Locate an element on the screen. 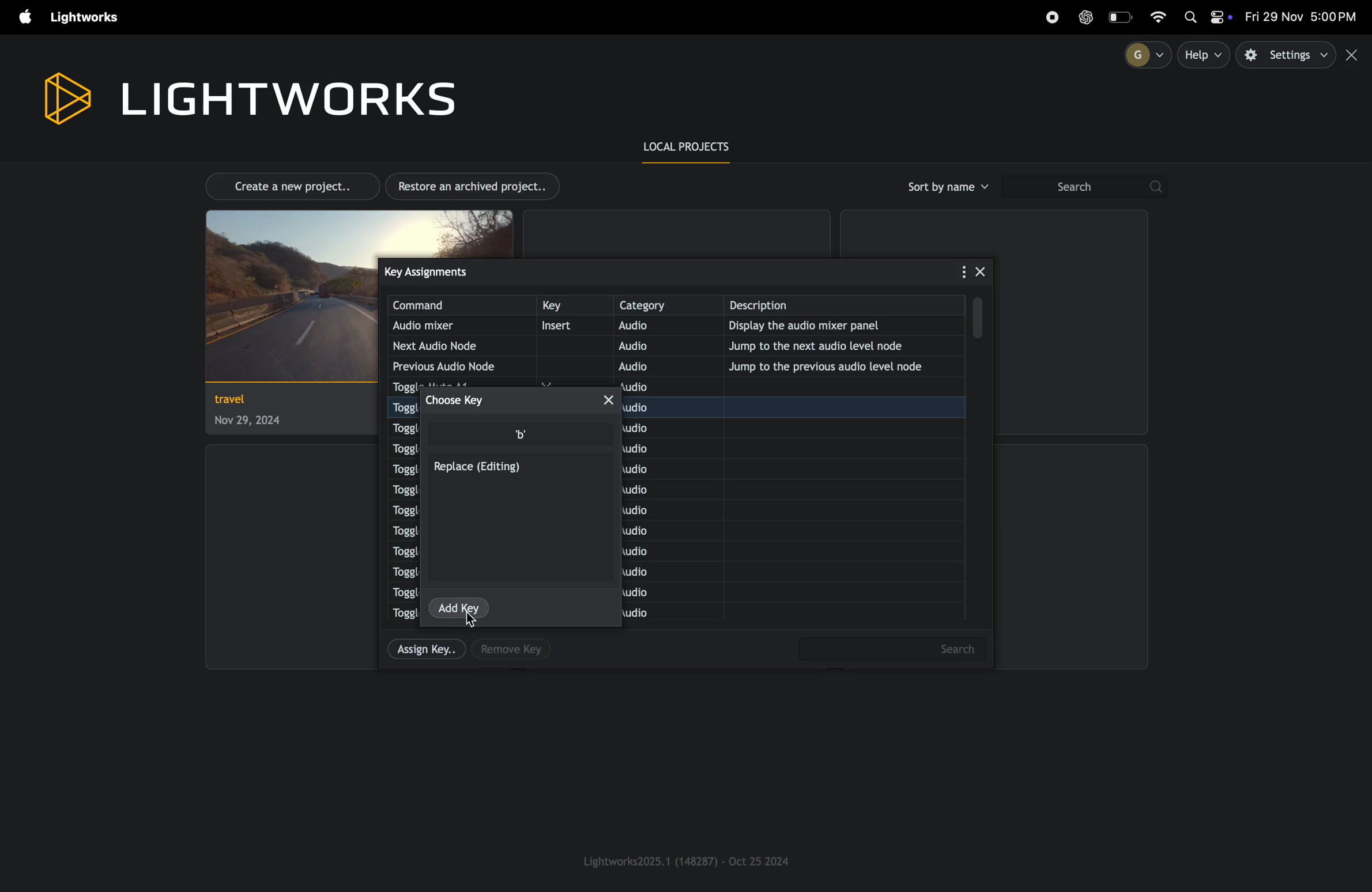  audio is located at coordinates (652, 365).